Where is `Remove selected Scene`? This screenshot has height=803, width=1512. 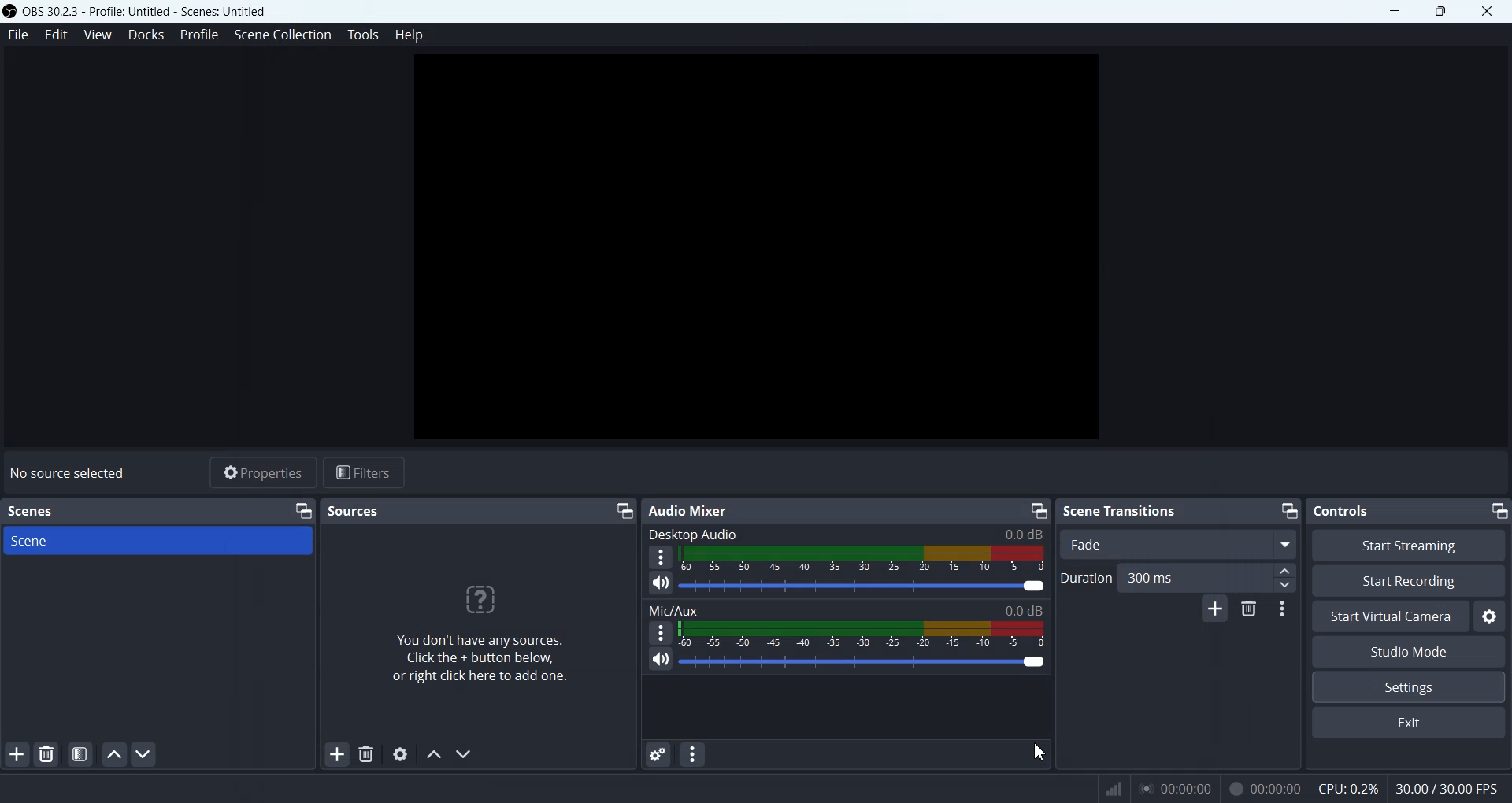
Remove selected Scene is located at coordinates (47, 754).